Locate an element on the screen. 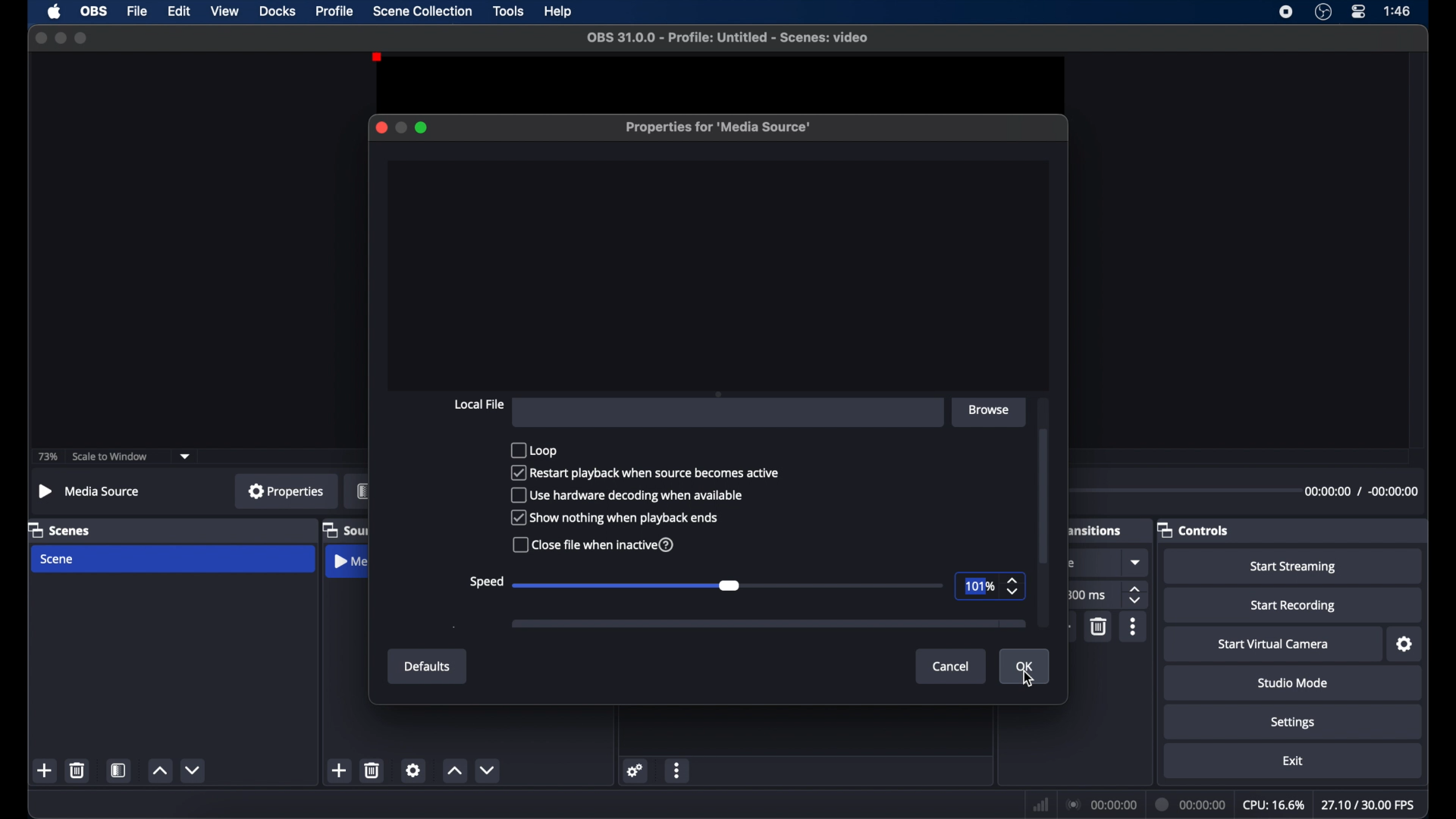 The image size is (1456, 819). obscure label is located at coordinates (362, 491).